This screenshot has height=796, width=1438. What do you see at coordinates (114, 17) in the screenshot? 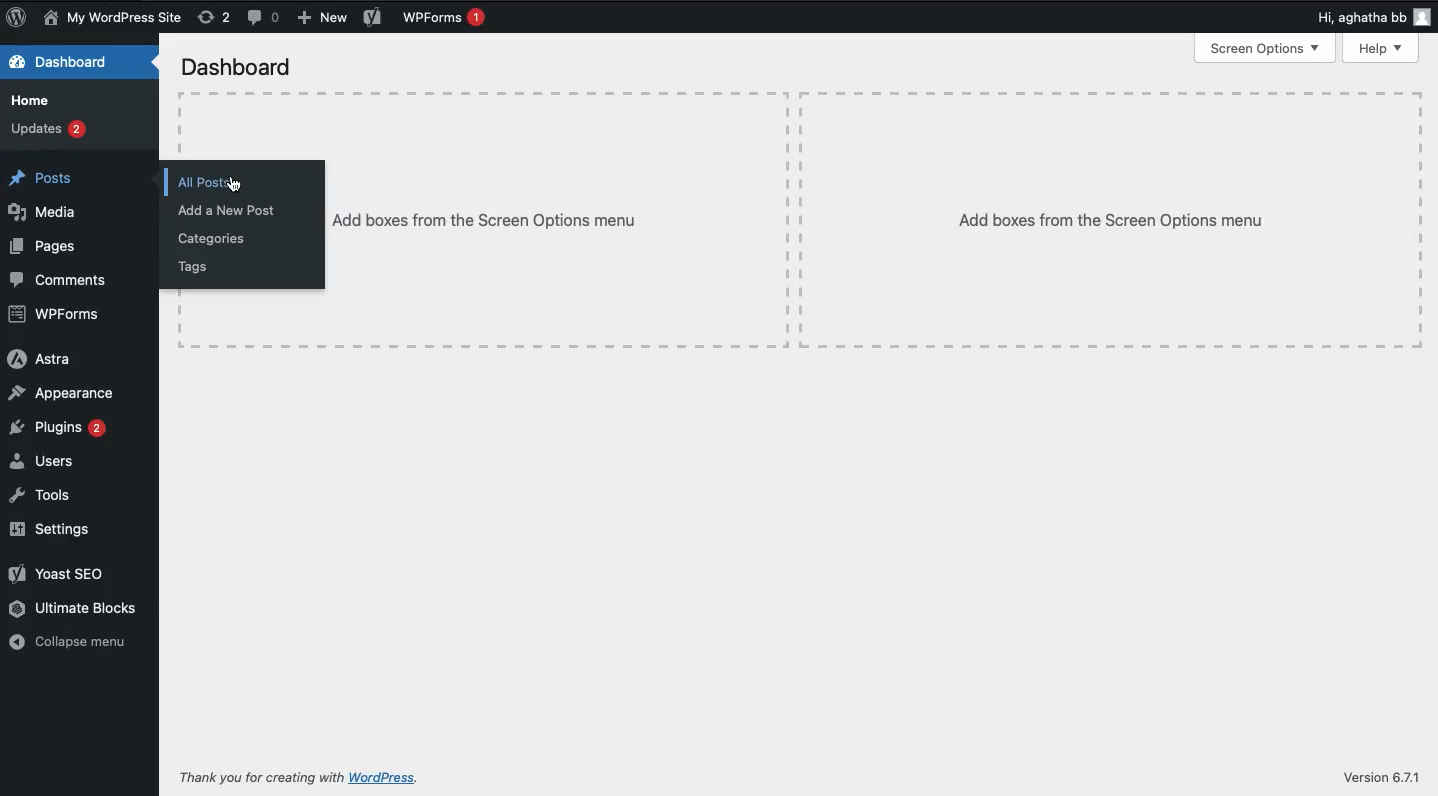
I see `Name` at bounding box center [114, 17].